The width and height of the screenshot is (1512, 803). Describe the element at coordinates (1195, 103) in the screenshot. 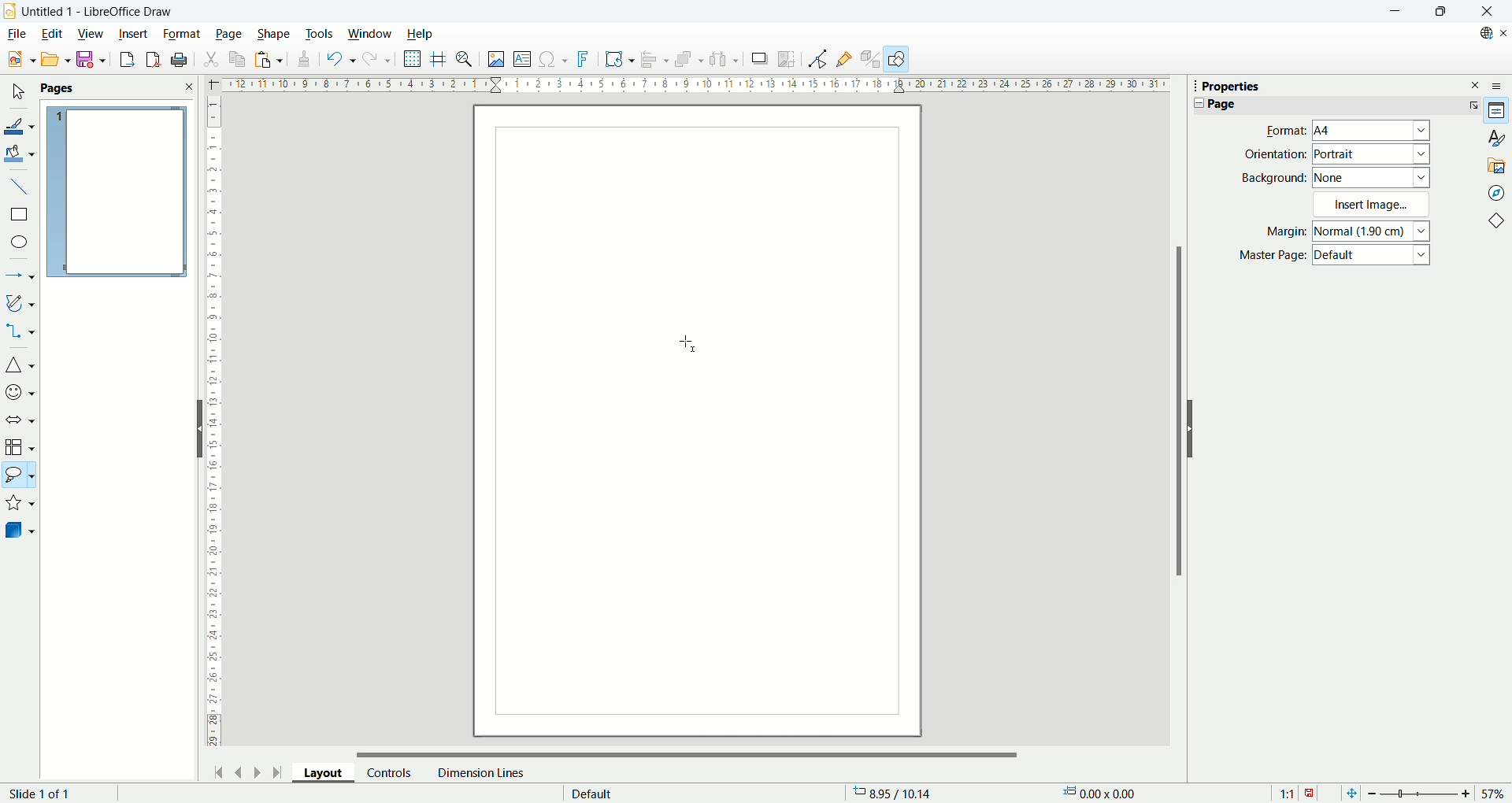

I see `Collapse` at that location.